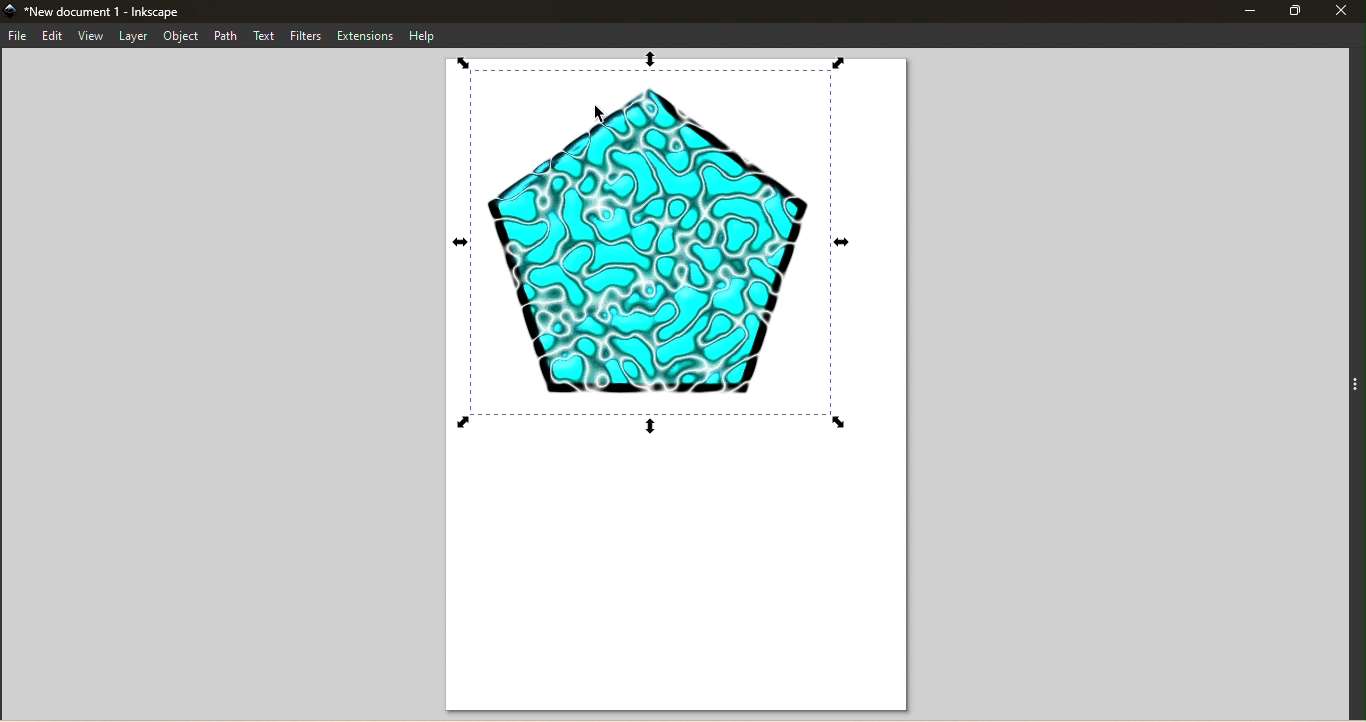 The height and width of the screenshot is (722, 1366). What do you see at coordinates (51, 36) in the screenshot?
I see `Edit` at bounding box center [51, 36].